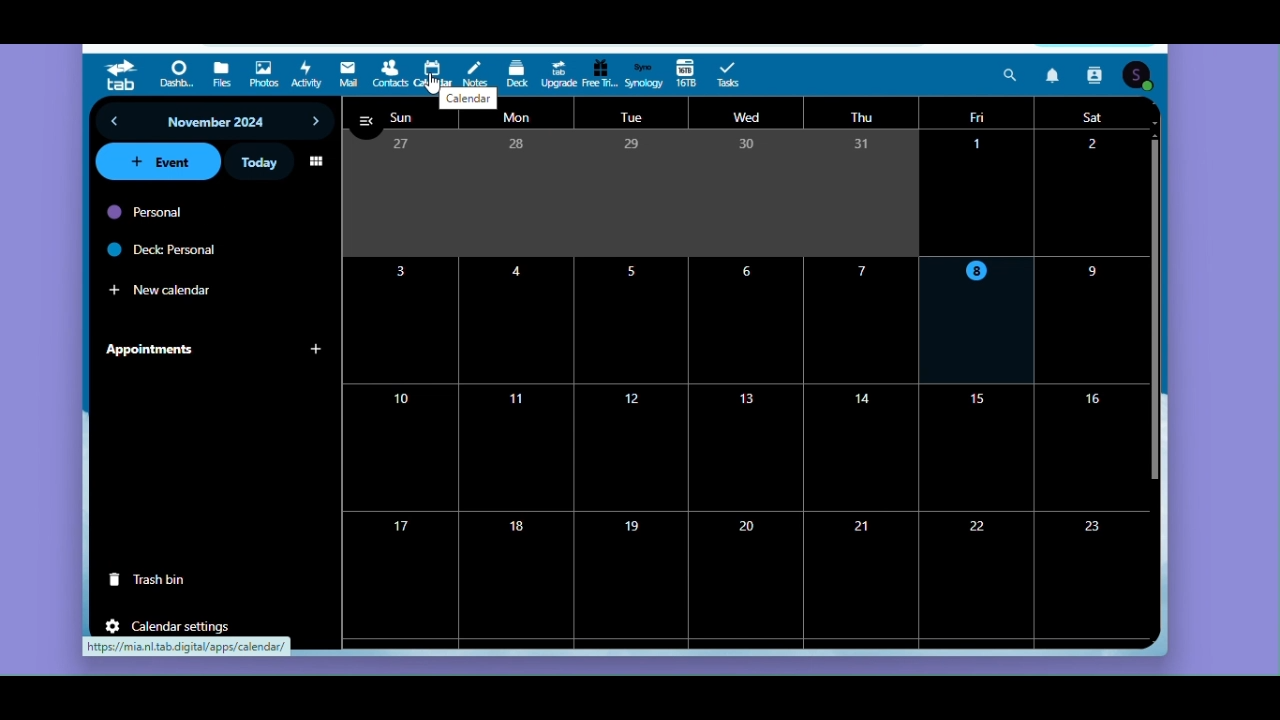 The width and height of the screenshot is (1280, 720). What do you see at coordinates (122, 76) in the screenshot?
I see `tab` at bounding box center [122, 76].